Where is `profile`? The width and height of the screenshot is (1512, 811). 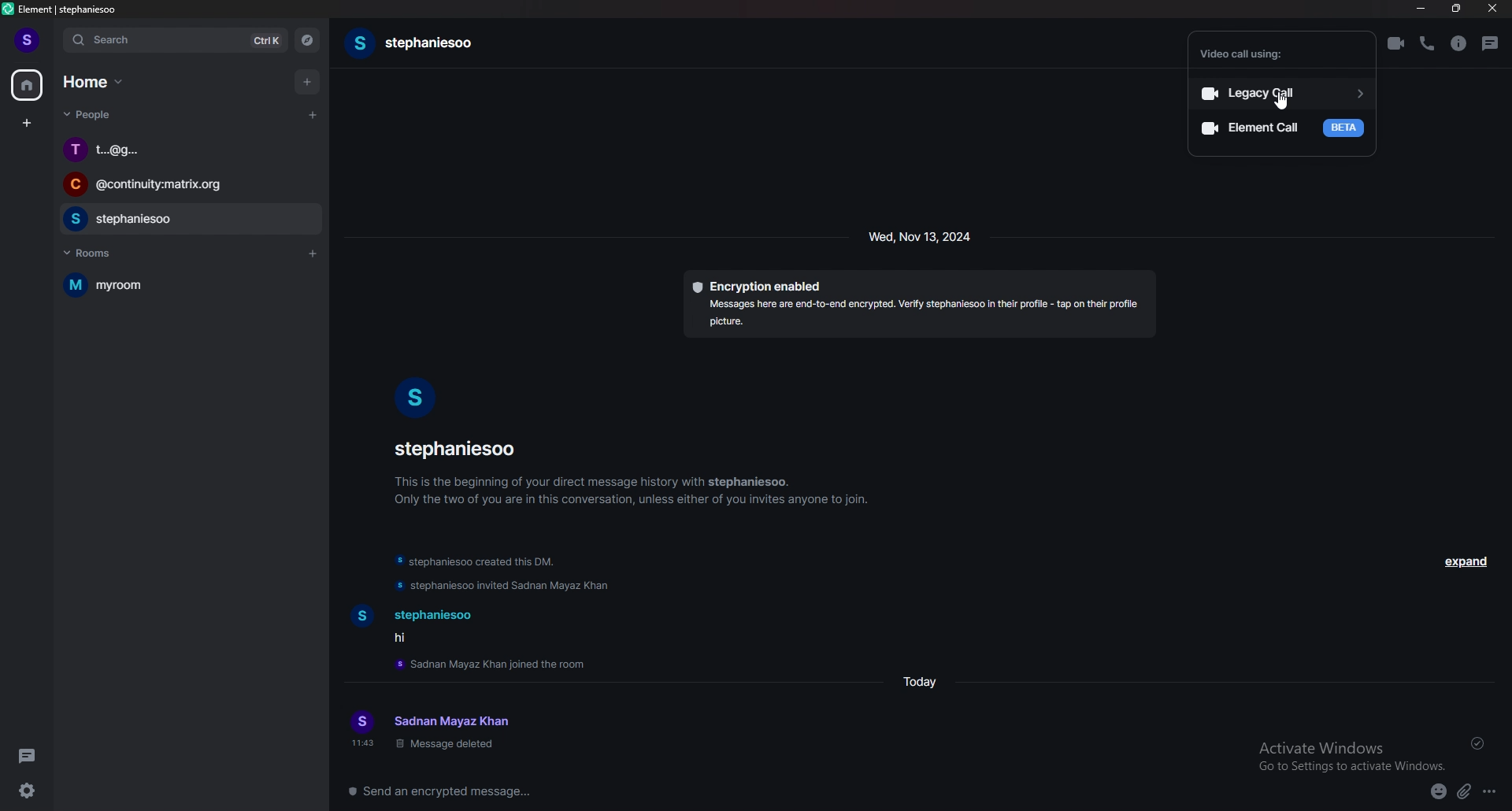
profile is located at coordinates (28, 41).